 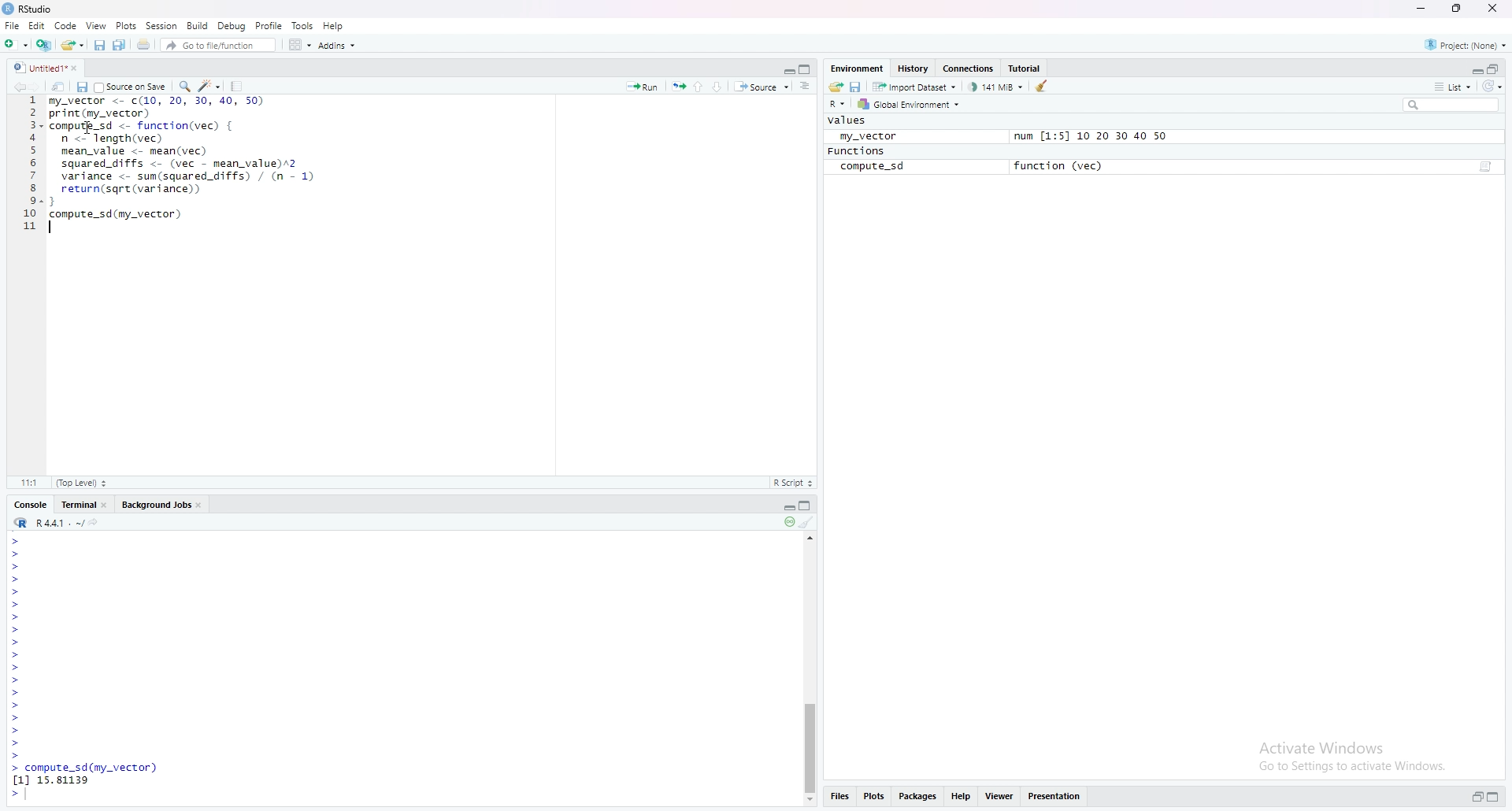 What do you see at coordinates (156, 107) in the screenshot?
I see `my_vector <- c(10, 20, 30, 40, 50)   print(my_vector)` at bounding box center [156, 107].